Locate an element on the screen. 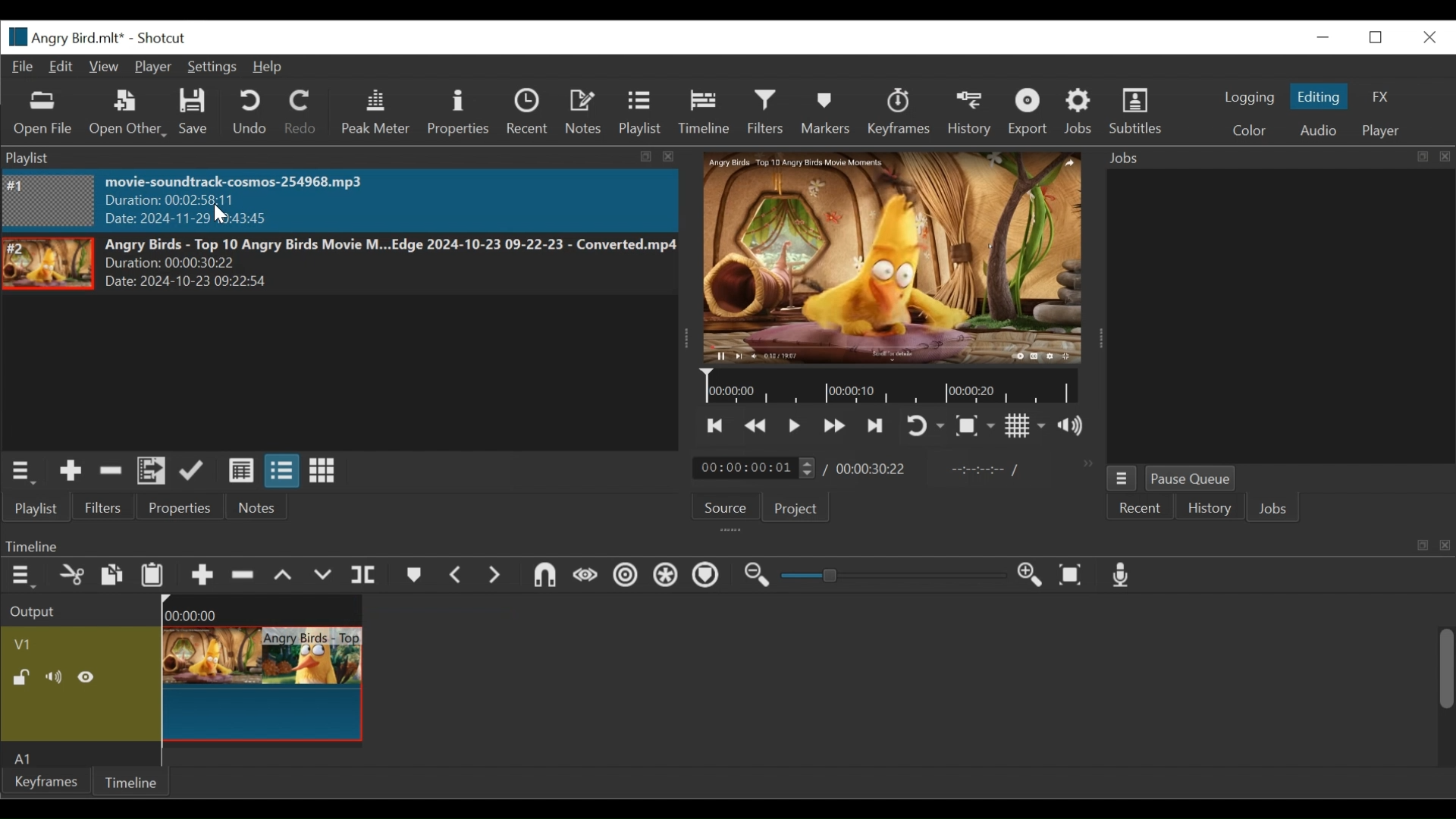 Image resolution: width=1456 pixels, height=819 pixels. movie-soundtrack-cosmos-254968.mp3
Duration: 00:02:58:11
Date: 2024-11-29 10:43:45 is located at coordinates (268, 202).